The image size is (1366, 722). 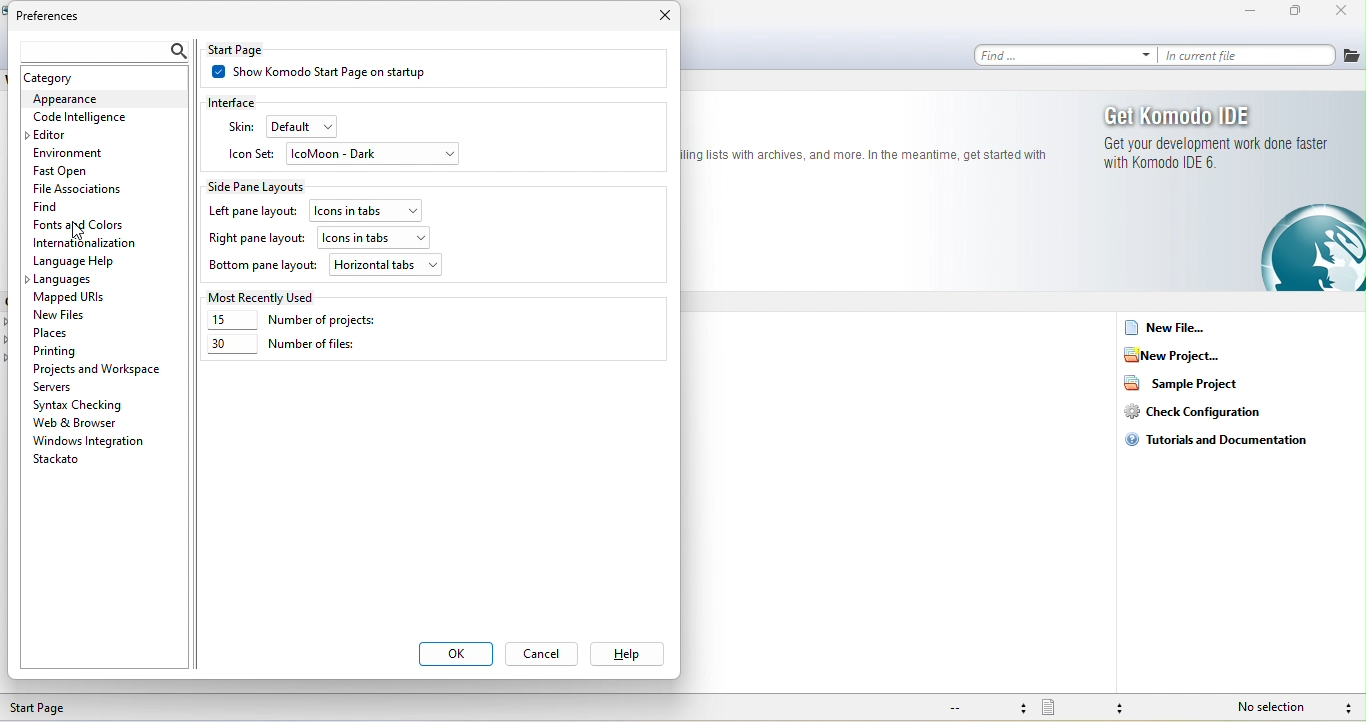 I want to click on help, so click(x=631, y=655).